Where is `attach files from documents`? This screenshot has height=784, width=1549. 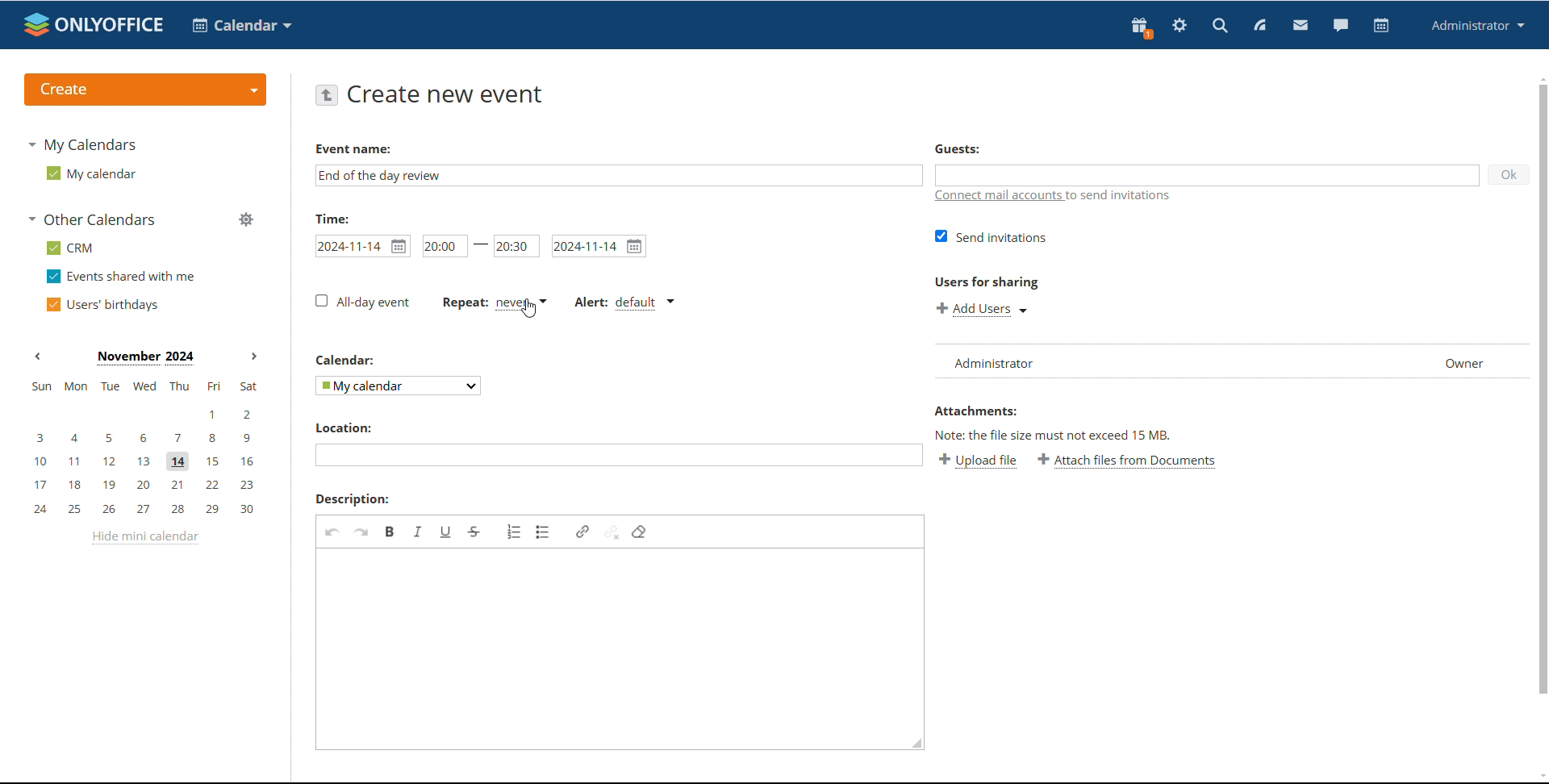 attach files from documents is located at coordinates (1128, 461).